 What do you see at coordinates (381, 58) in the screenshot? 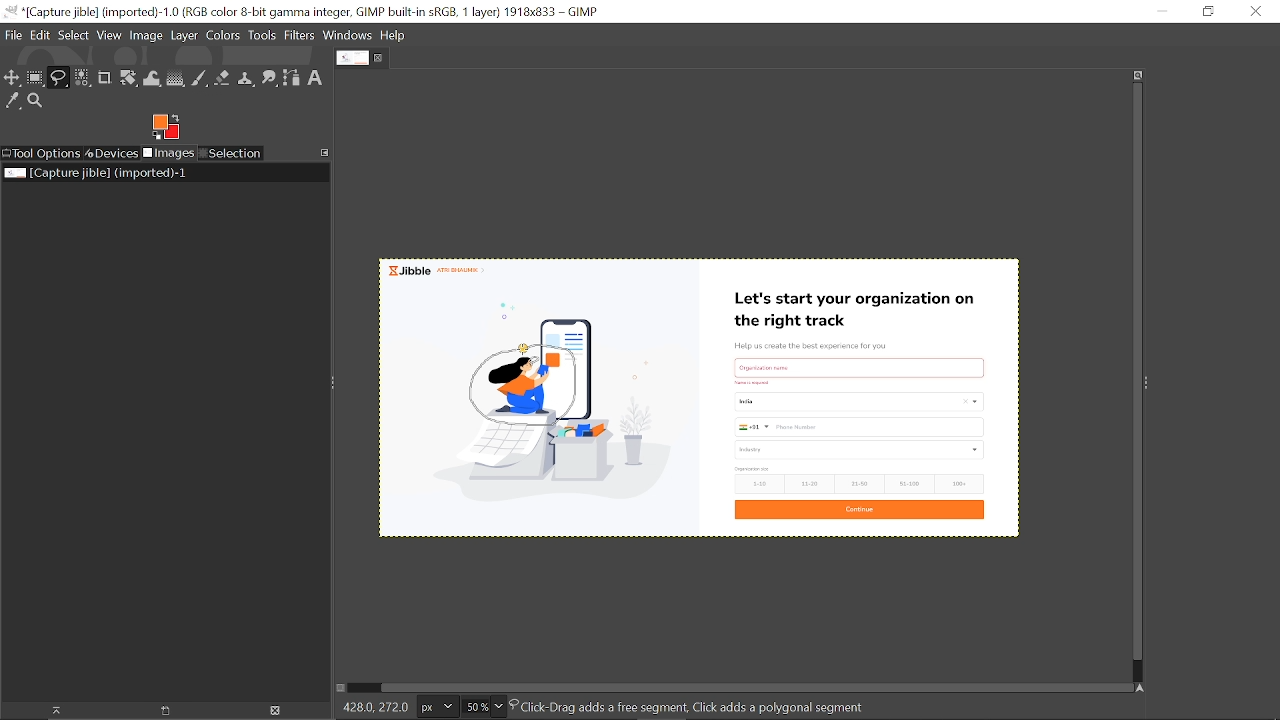
I see `Close tab` at bounding box center [381, 58].